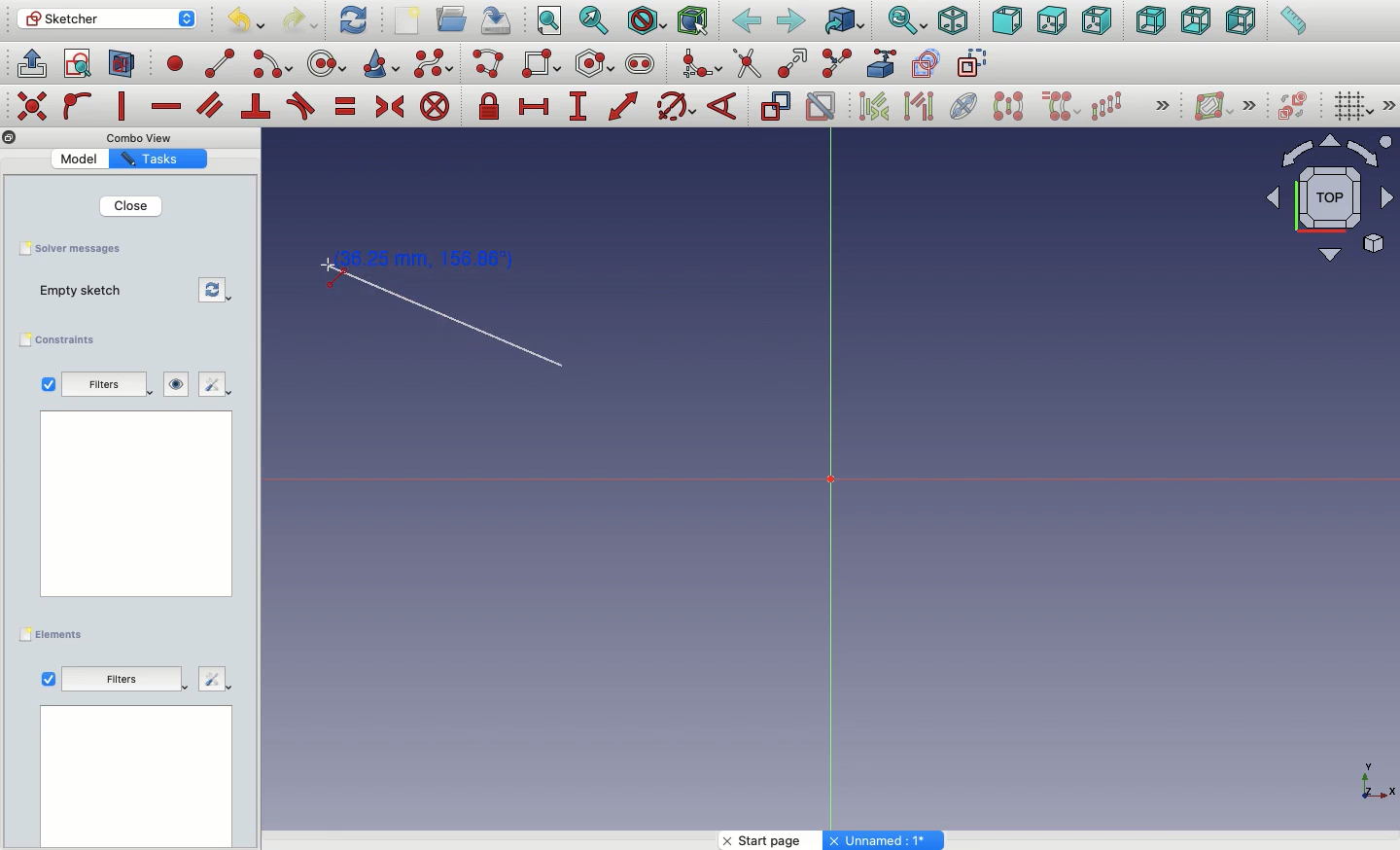  What do you see at coordinates (244, 21) in the screenshot?
I see `Undo` at bounding box center [244, 21].